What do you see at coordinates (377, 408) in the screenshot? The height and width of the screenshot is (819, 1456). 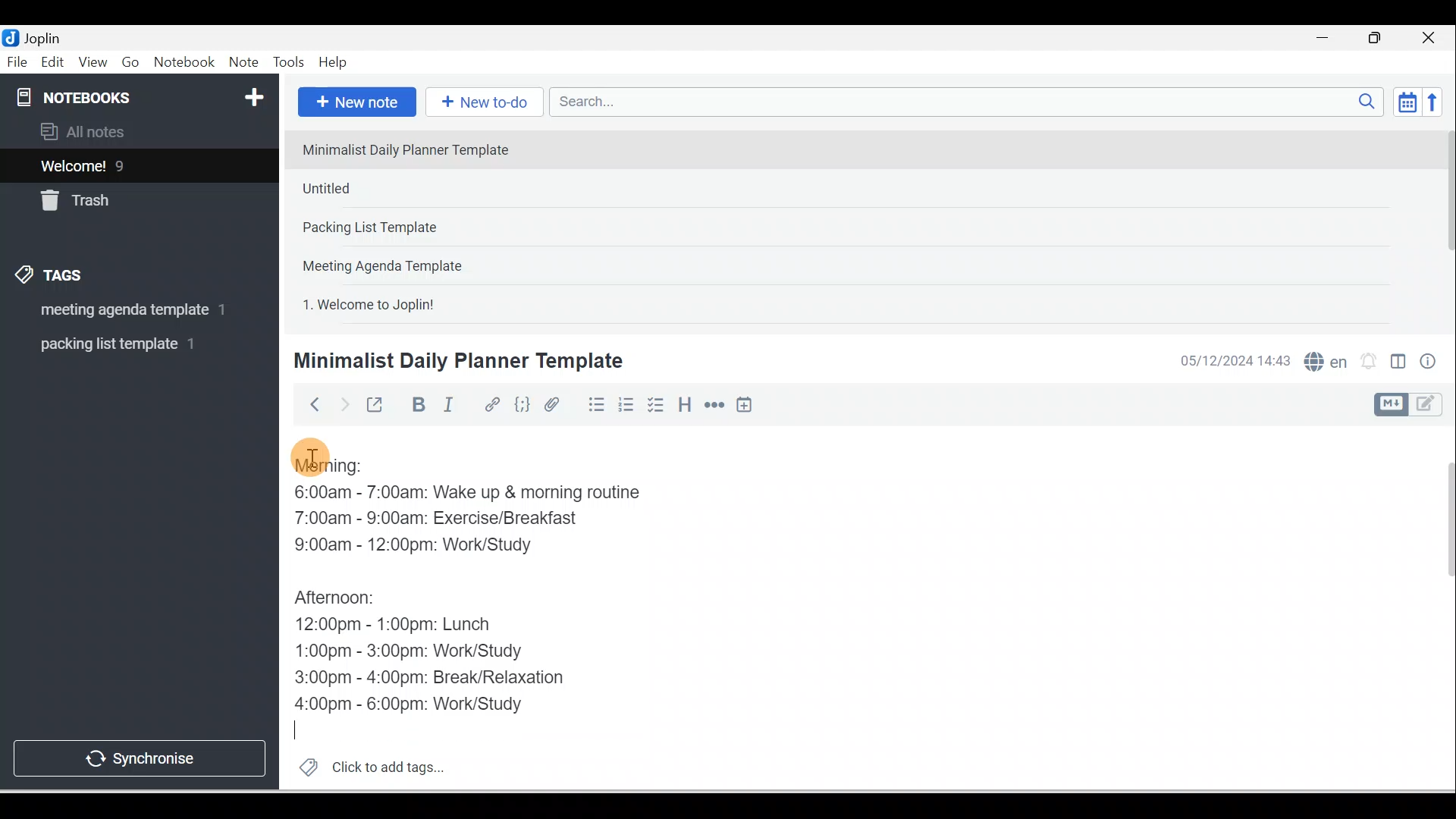 I see `Toggle external editing` at bounding box center [377, 408].